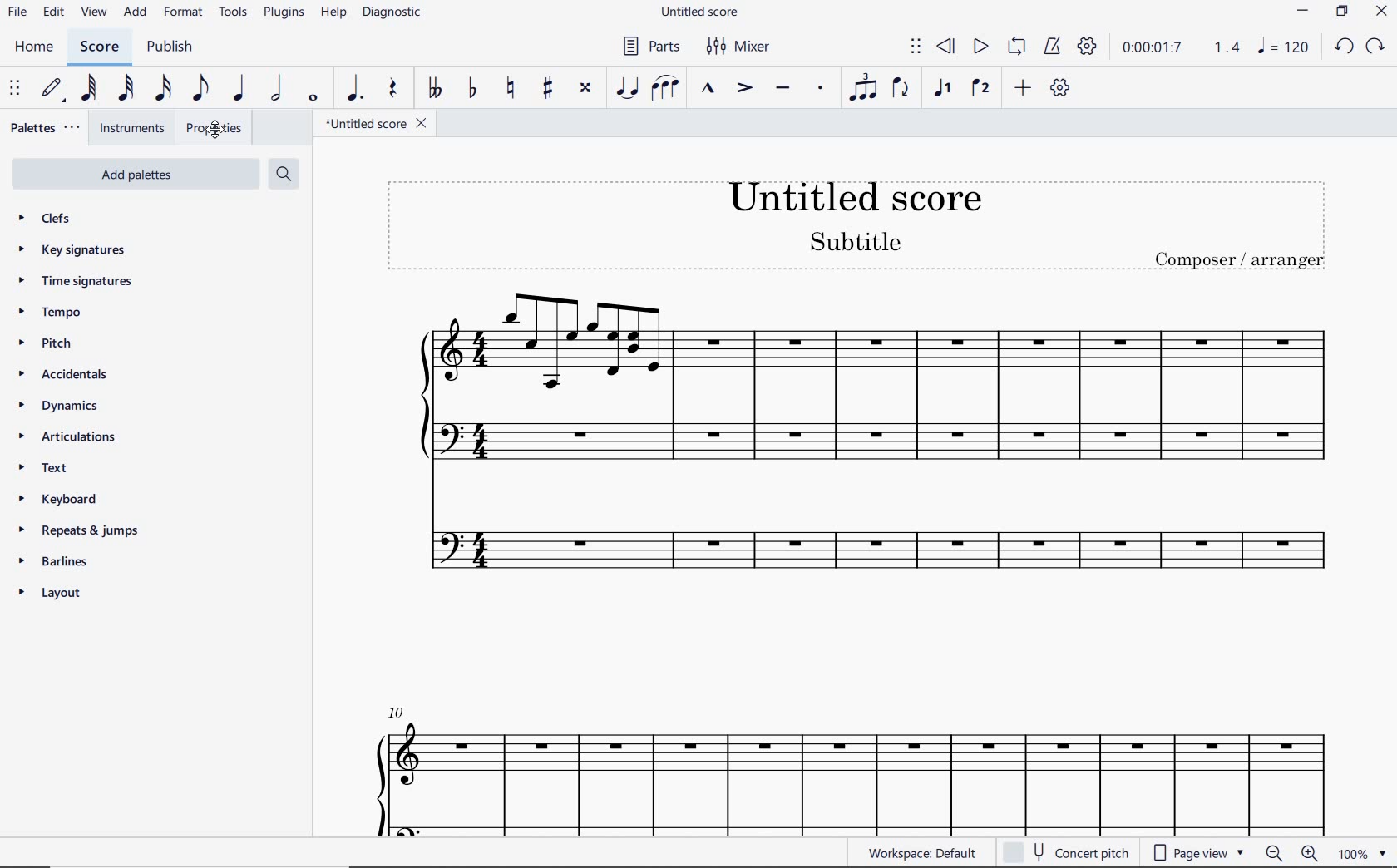 The height and width of the screenshot is (868, 1397). I want to click on SELECT TO MOVE, so click(18, 87).